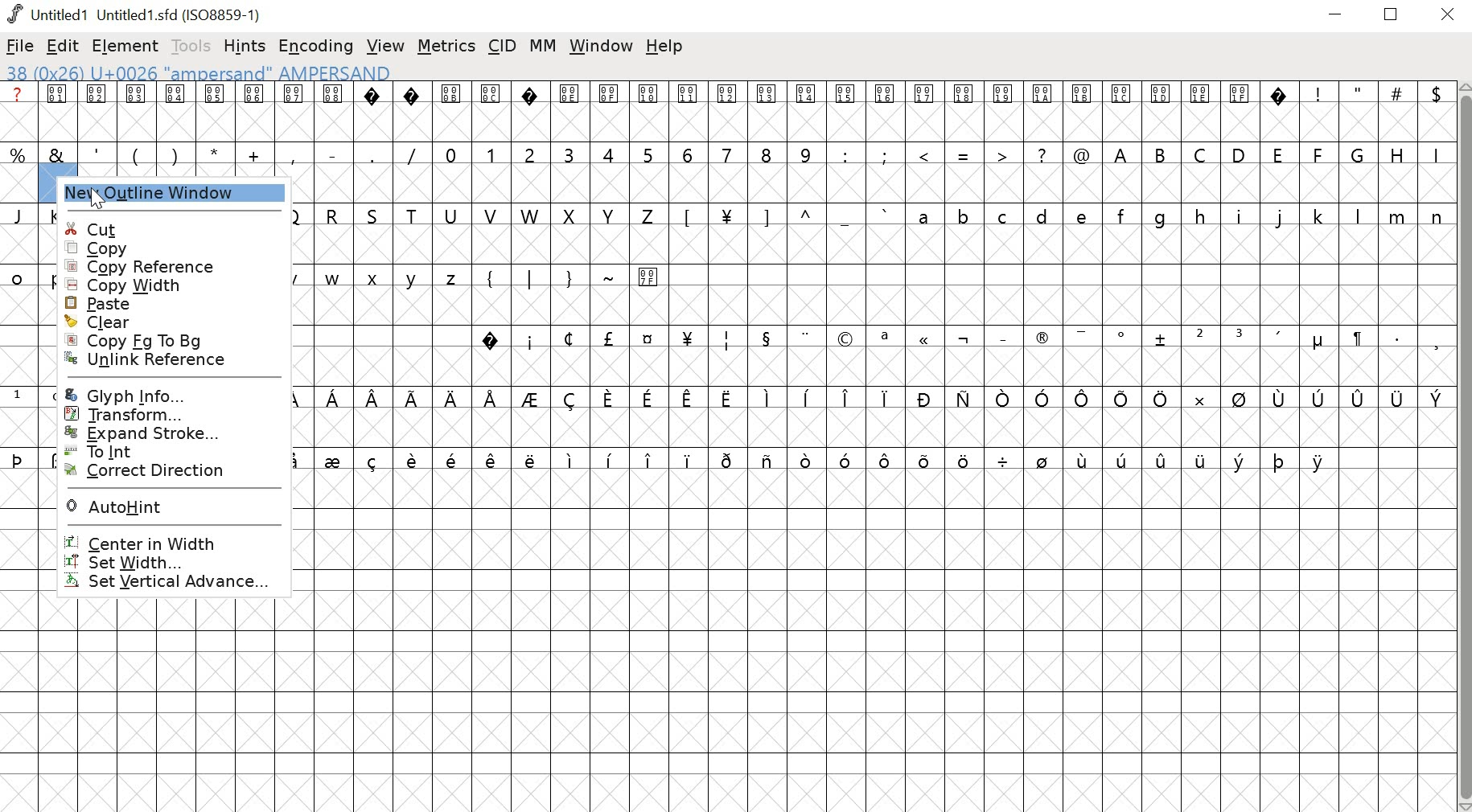 The width and height of the screenshot is (1472, 812). I want to click on symbol, so click(965, 399).